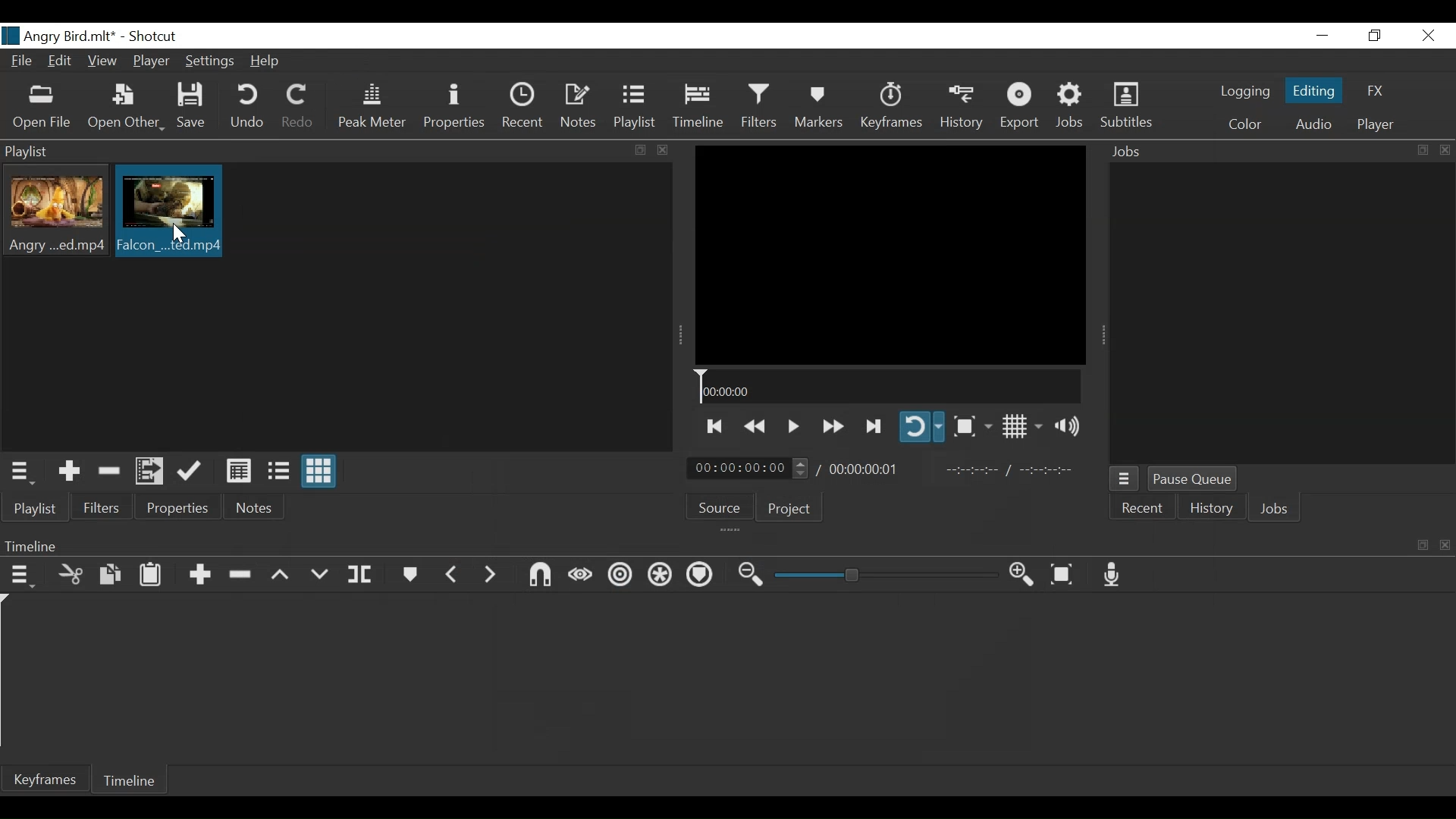 The height and width of the screenshot is (819, 1456). What do you see at coordinates (249, 106) in the screenshot?
I see `Undo` at bounding box center [249, 106].